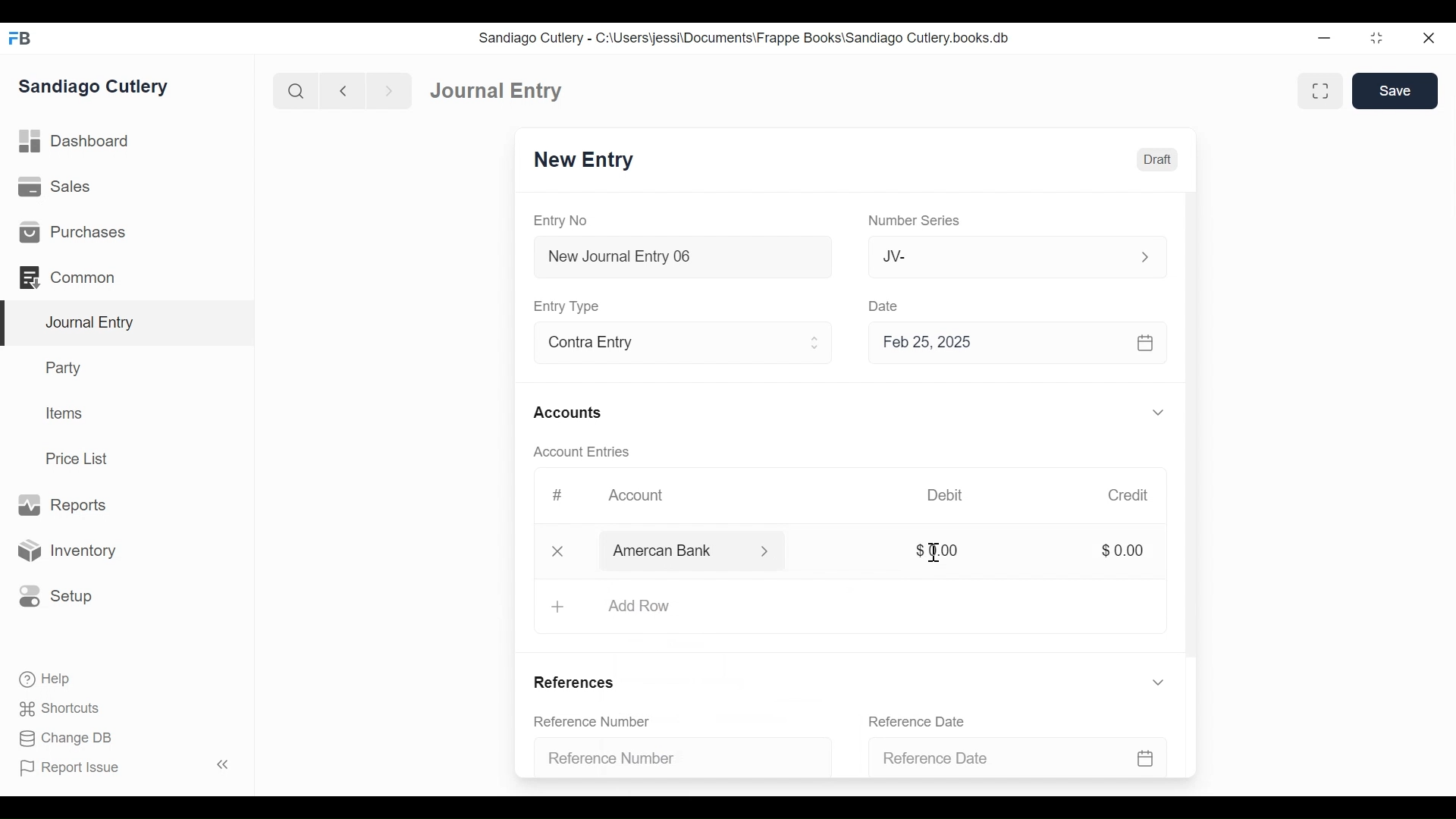  I want to click on Expand, so click(1145, 257).